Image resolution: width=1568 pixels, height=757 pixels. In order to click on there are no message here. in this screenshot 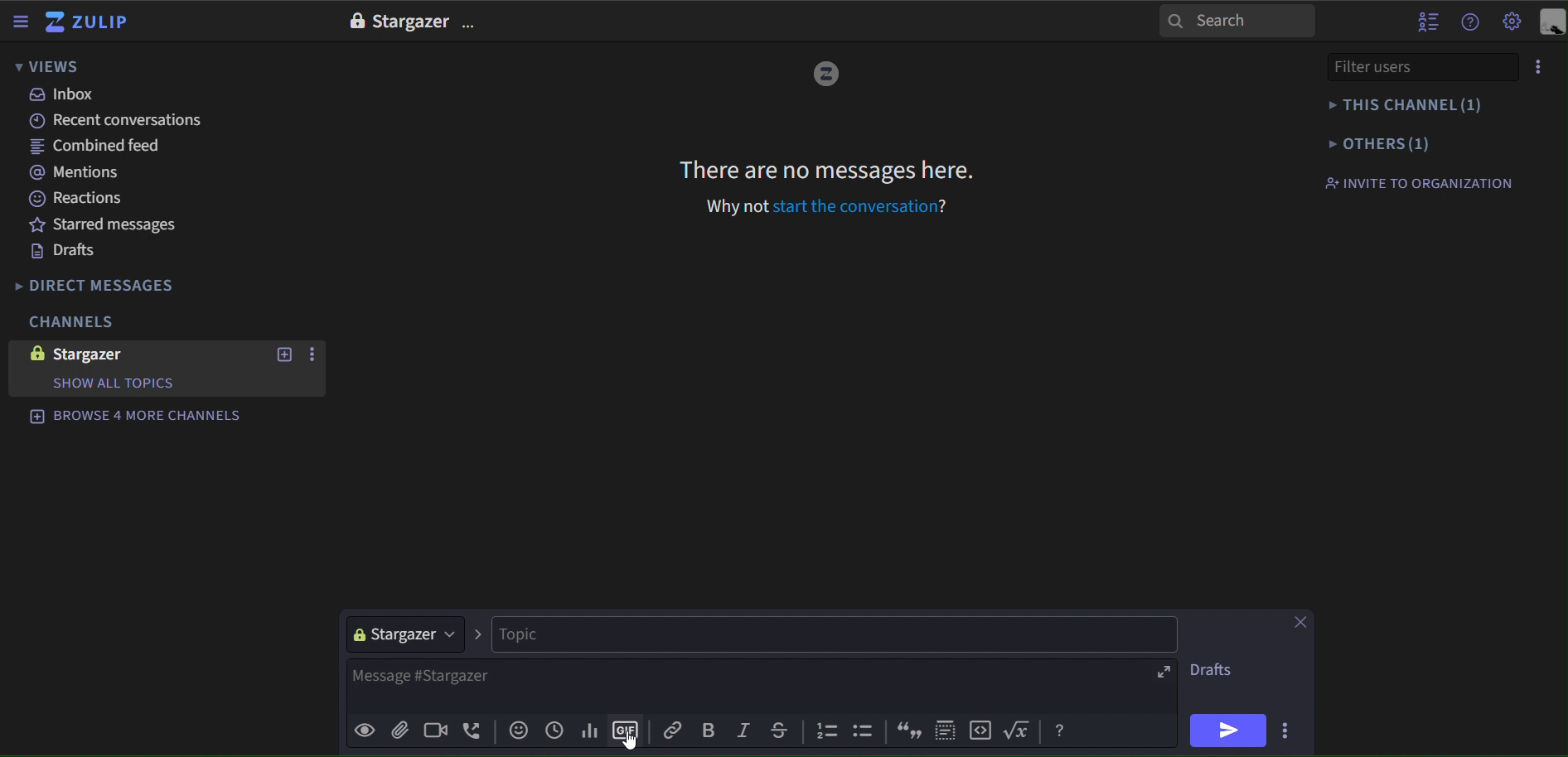, I will do `click(828, 169)`.